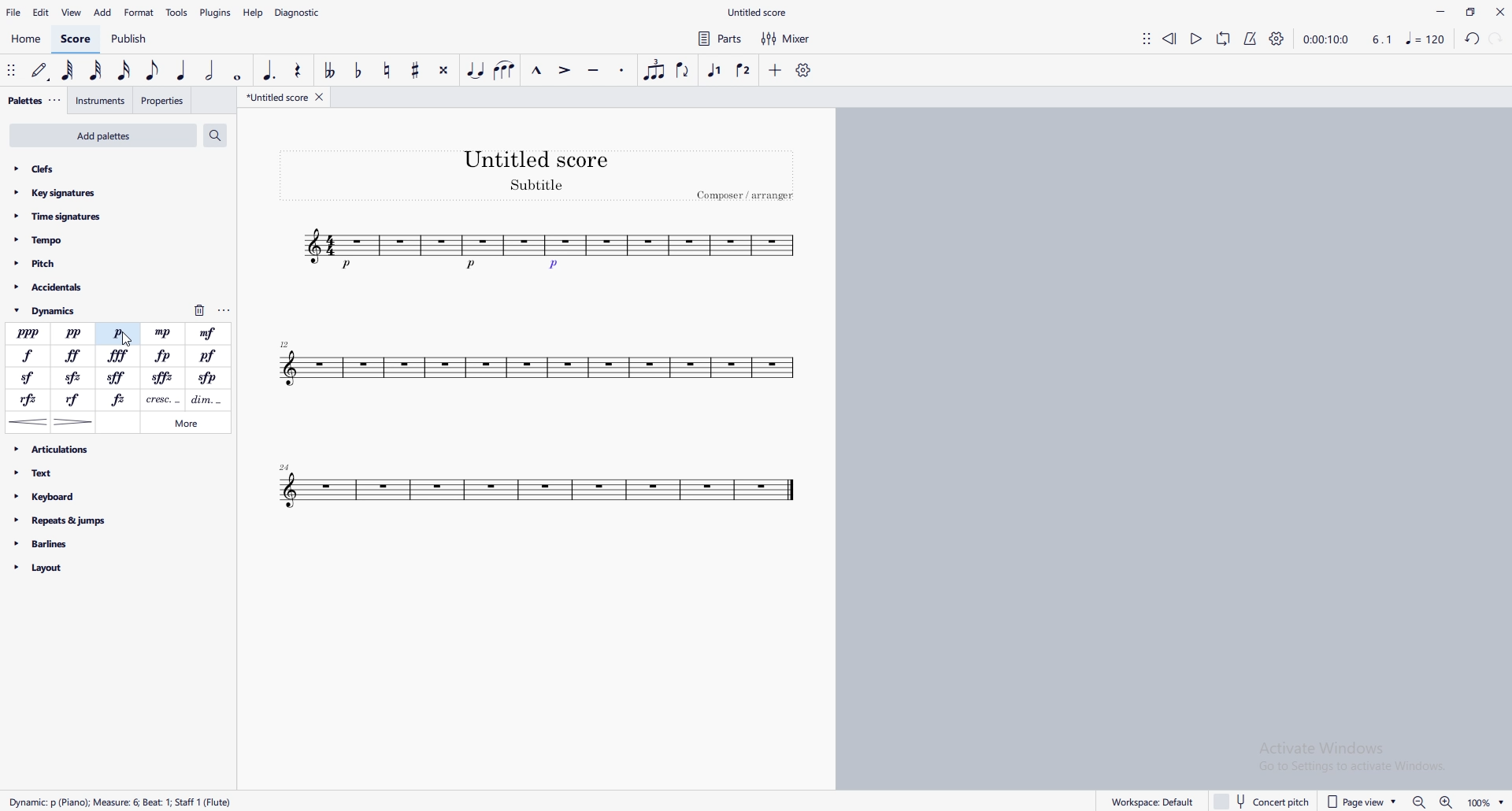 The width and height of the screenshot is (1512, 811). I want to click on redo, so click(1495, 38).